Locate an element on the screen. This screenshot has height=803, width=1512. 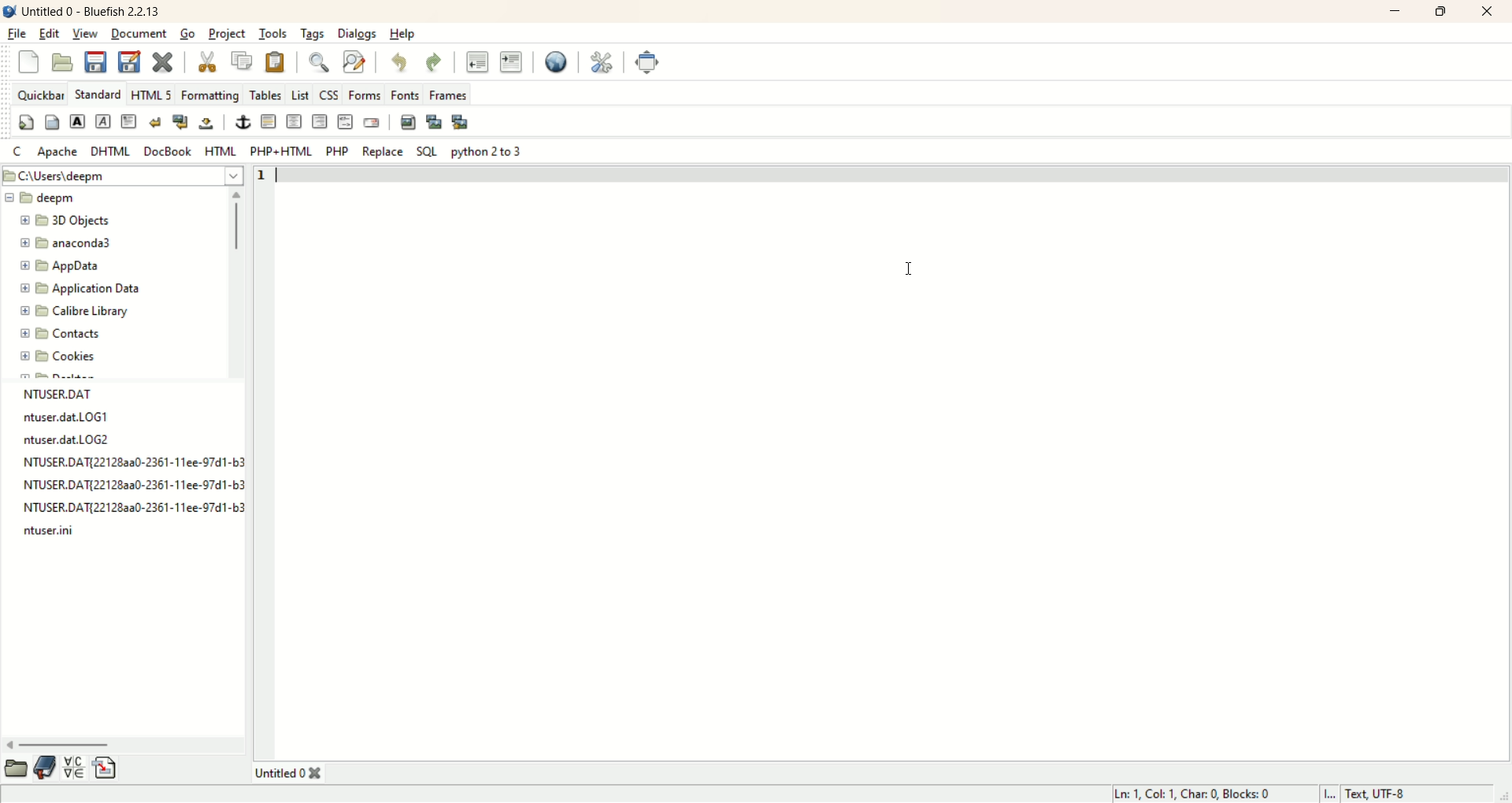
C is located at coordinates (13, 151).